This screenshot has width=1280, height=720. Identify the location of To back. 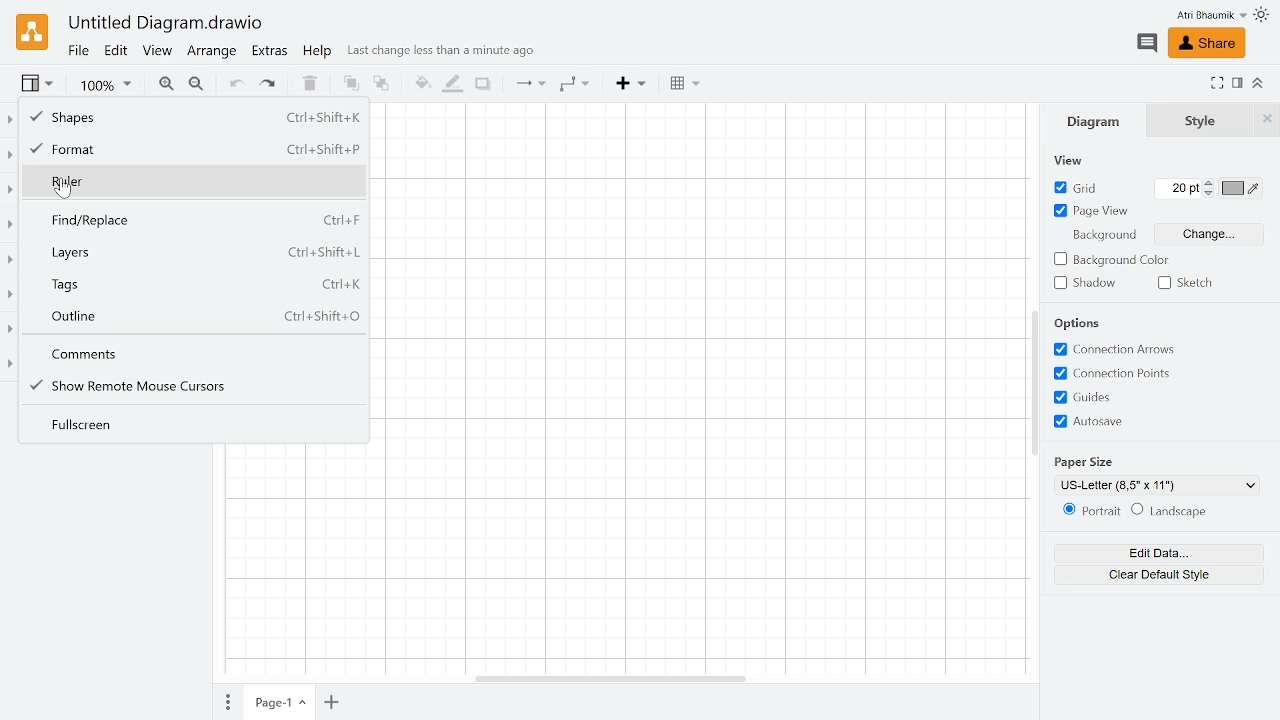
(383, 85).